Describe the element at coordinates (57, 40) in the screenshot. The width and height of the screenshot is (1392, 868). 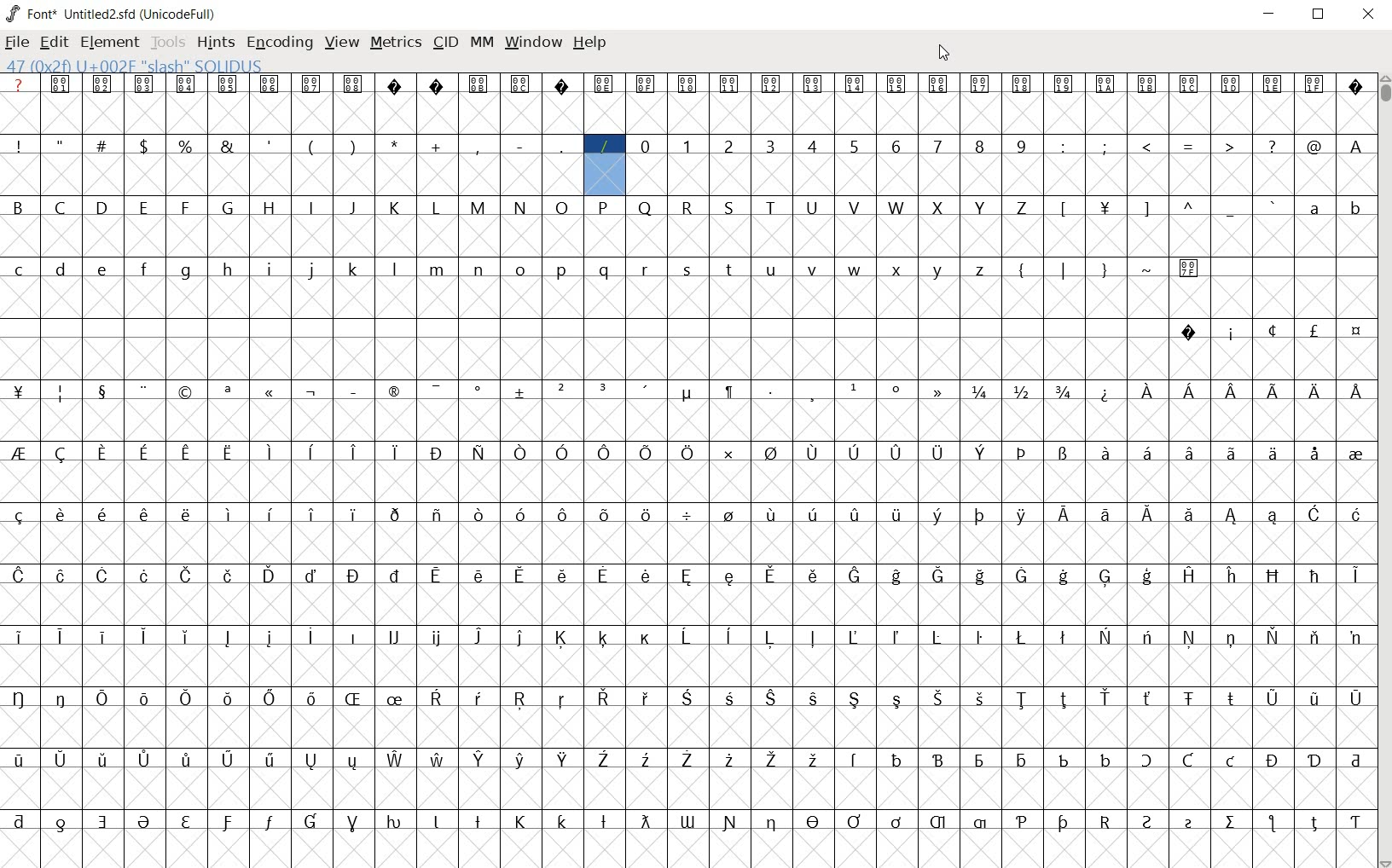
I see `EDIT` at that location.